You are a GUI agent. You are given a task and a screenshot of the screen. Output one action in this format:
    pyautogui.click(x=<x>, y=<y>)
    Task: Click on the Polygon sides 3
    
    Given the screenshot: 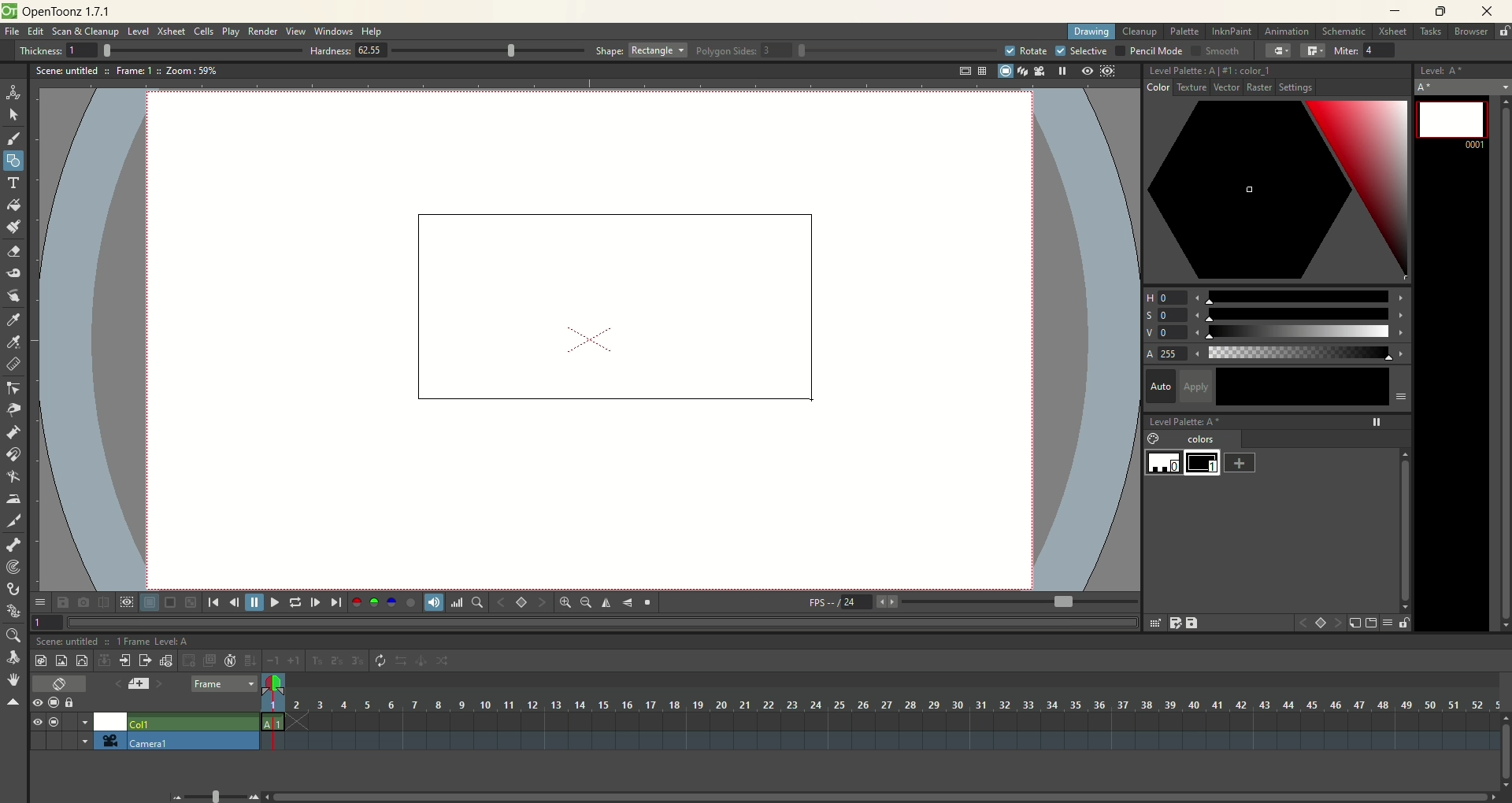 What is the action you would take?
    pyautogui.click(x=838, y=51)
    